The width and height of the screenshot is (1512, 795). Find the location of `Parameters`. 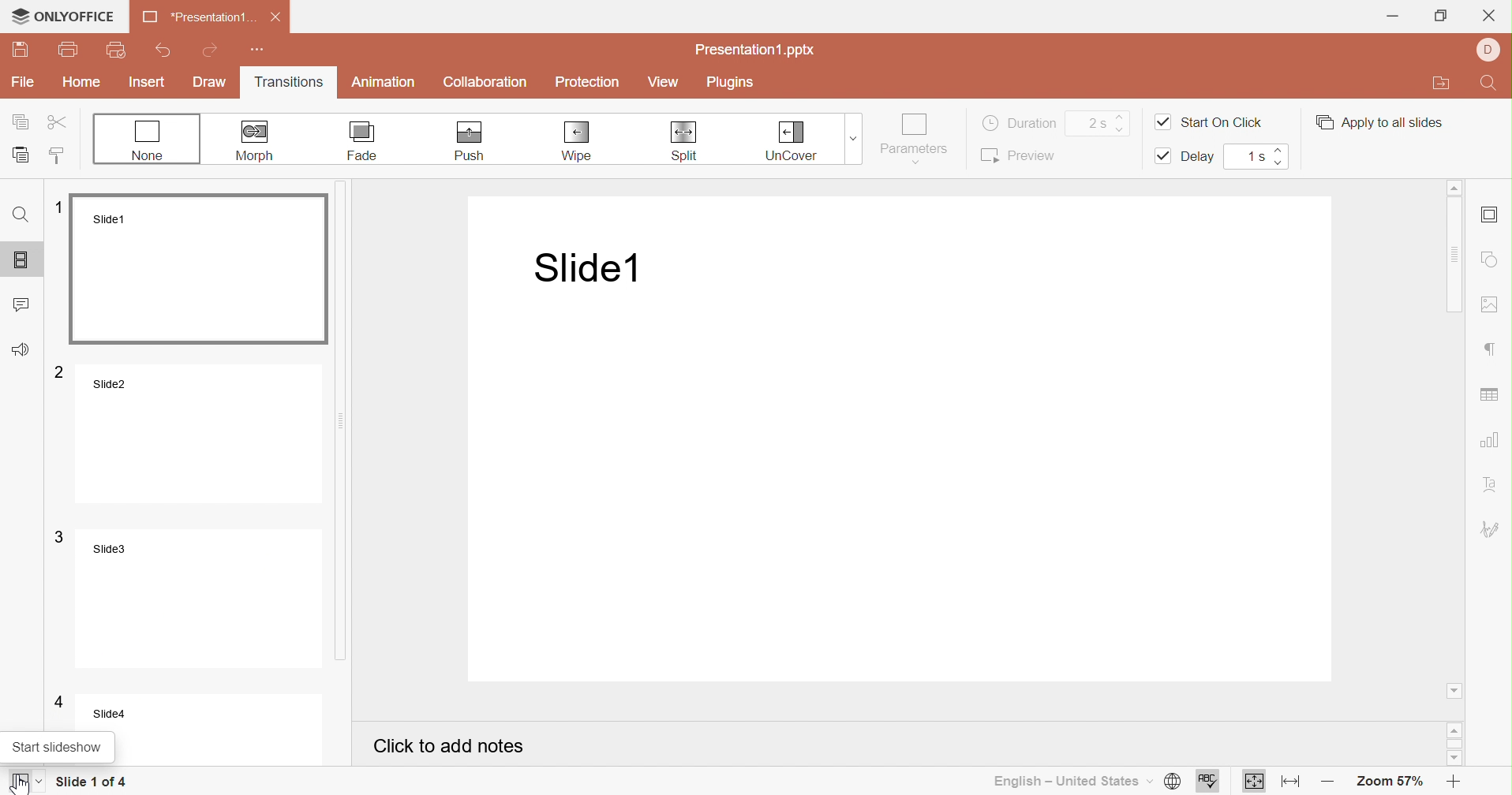

Parameters is located at coordinates (915, 138).